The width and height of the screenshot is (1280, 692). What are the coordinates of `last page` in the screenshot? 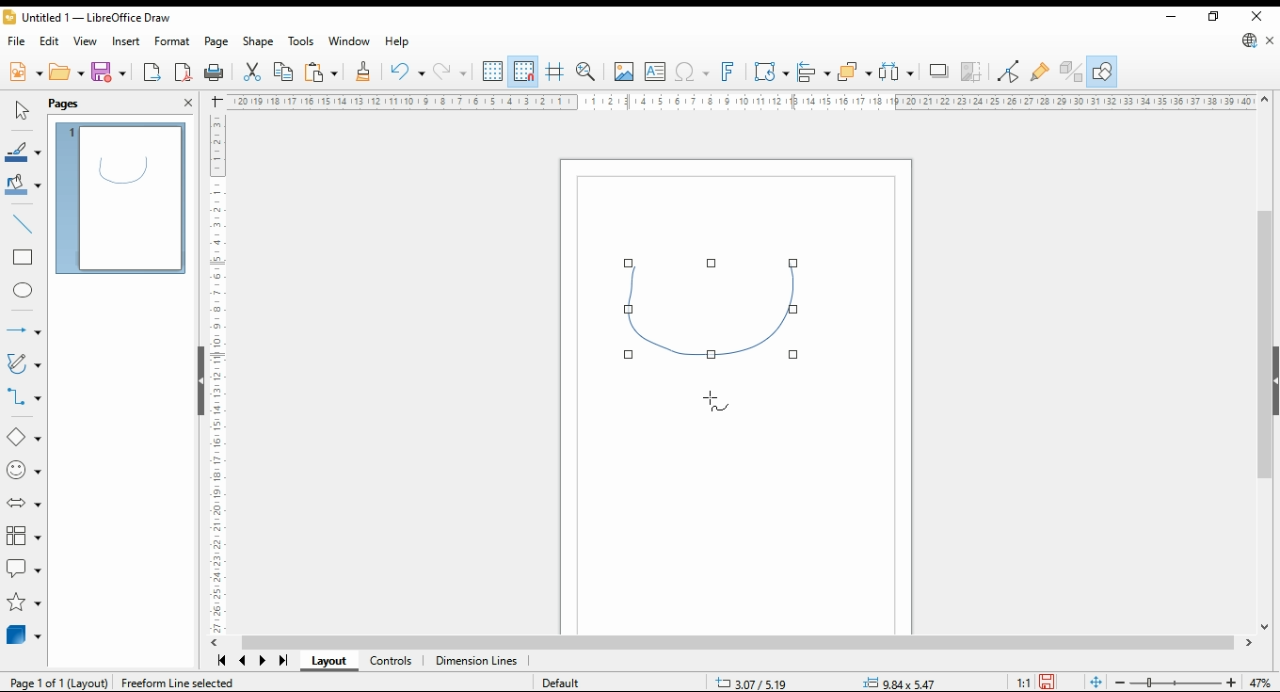 It's located at (282, 662).